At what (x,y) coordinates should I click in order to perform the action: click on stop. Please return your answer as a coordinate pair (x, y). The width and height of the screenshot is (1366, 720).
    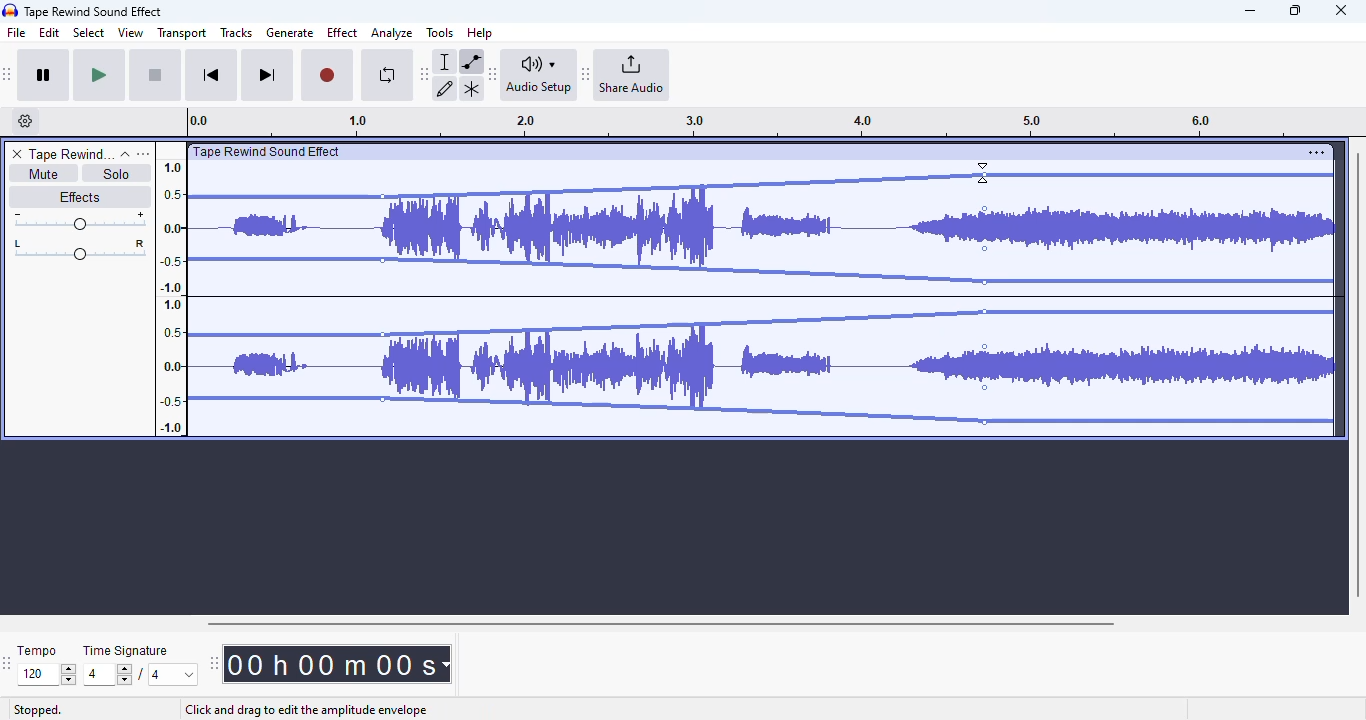
    Looking at the image, I should click on (155, 76).